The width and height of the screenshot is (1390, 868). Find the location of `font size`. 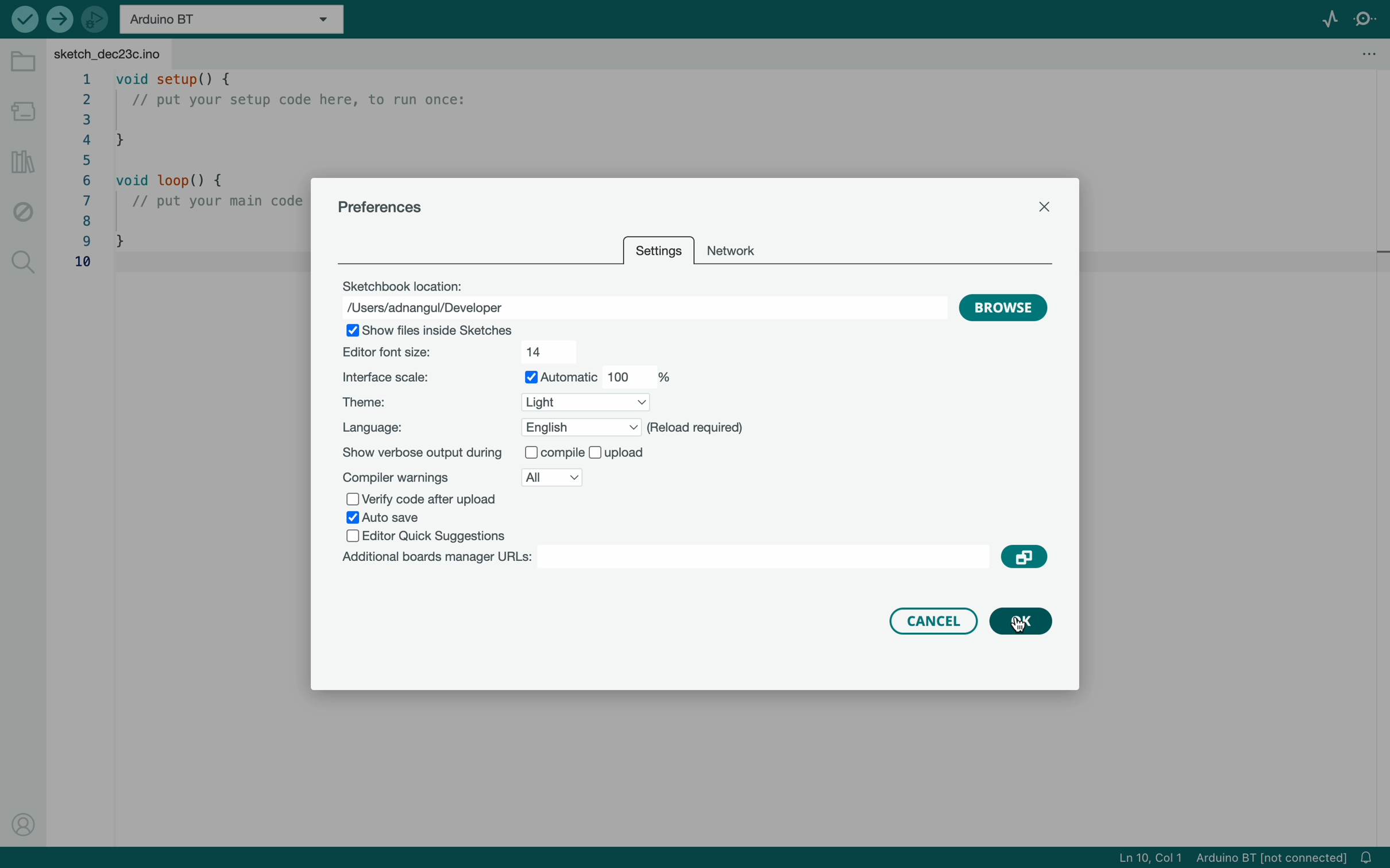

font size is located at coordinates (466, 352).